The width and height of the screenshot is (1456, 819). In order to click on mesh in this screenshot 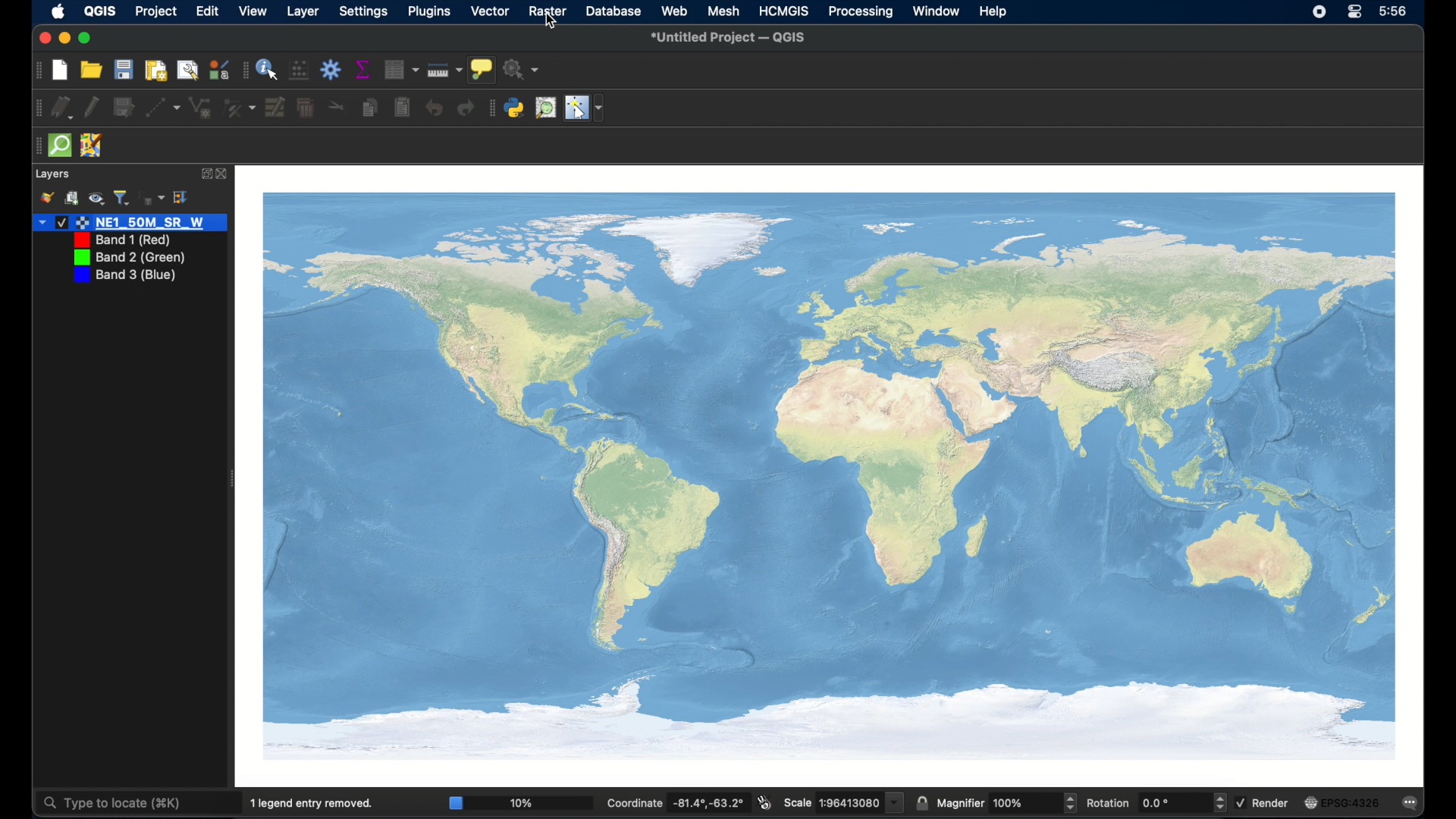, I will do `click(723, 11)`.